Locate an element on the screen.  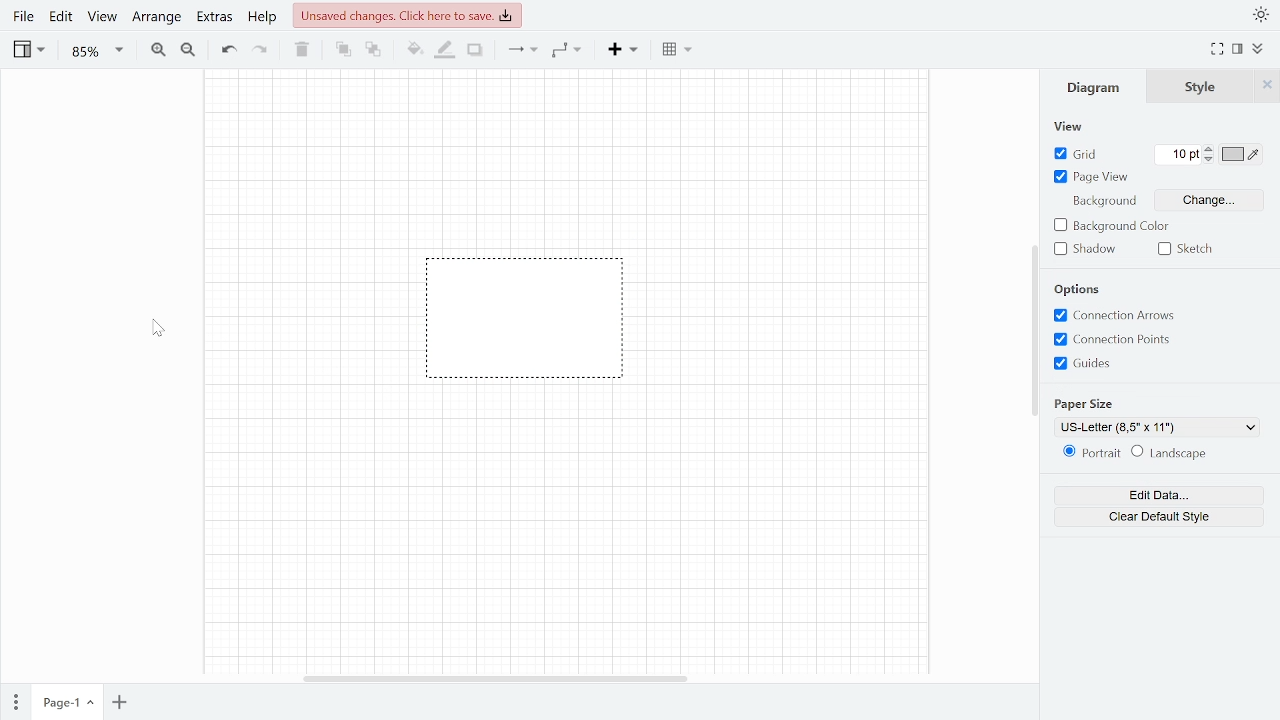
edit data is located at coordinates (1158, 494).